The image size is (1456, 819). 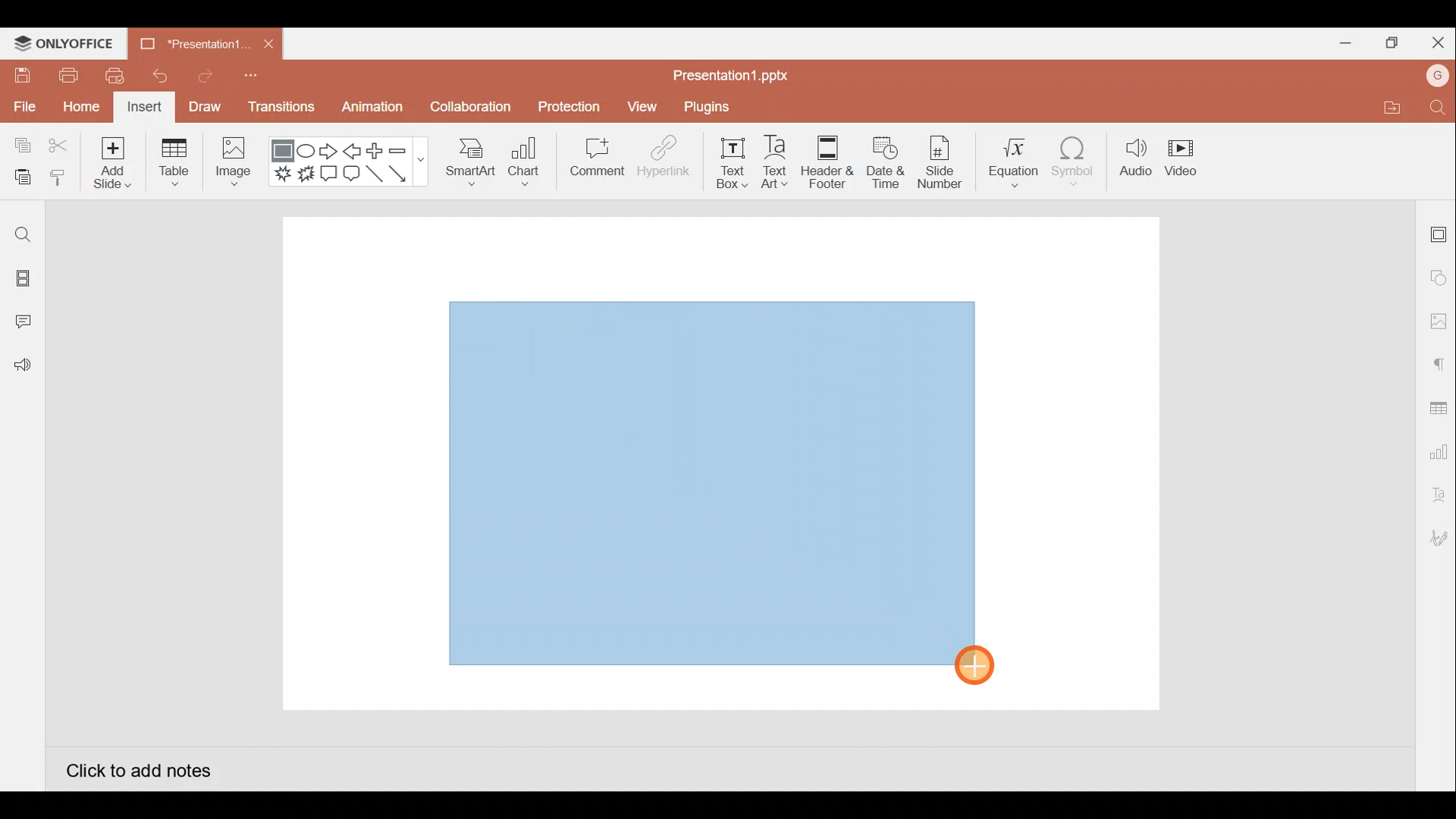 What do you see at coordinates (308, 150) in the screenshot?
I see `Ellipse` at bounding box center [308, 150].